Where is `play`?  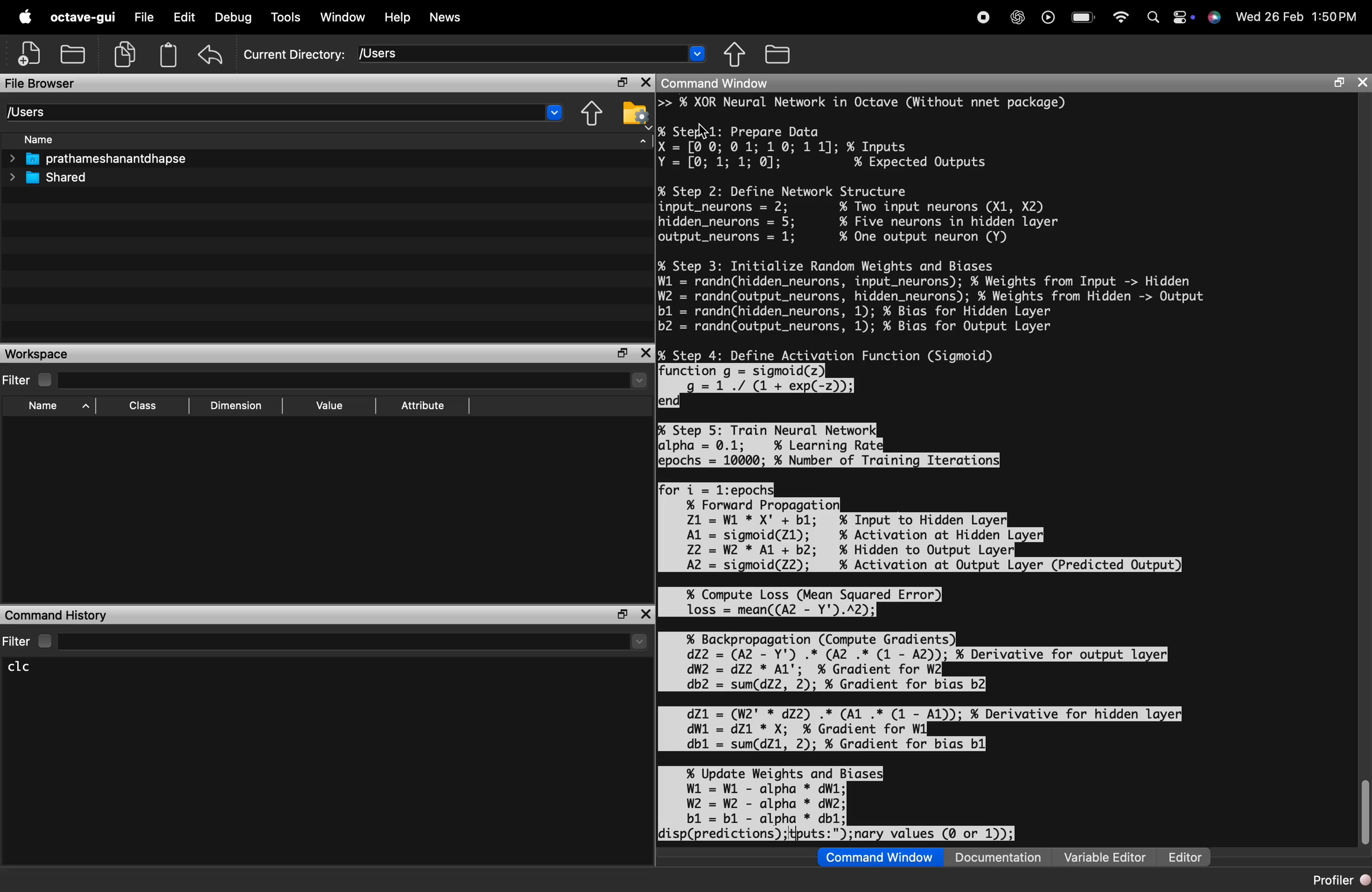 play is located at coordinates (1045, 17).